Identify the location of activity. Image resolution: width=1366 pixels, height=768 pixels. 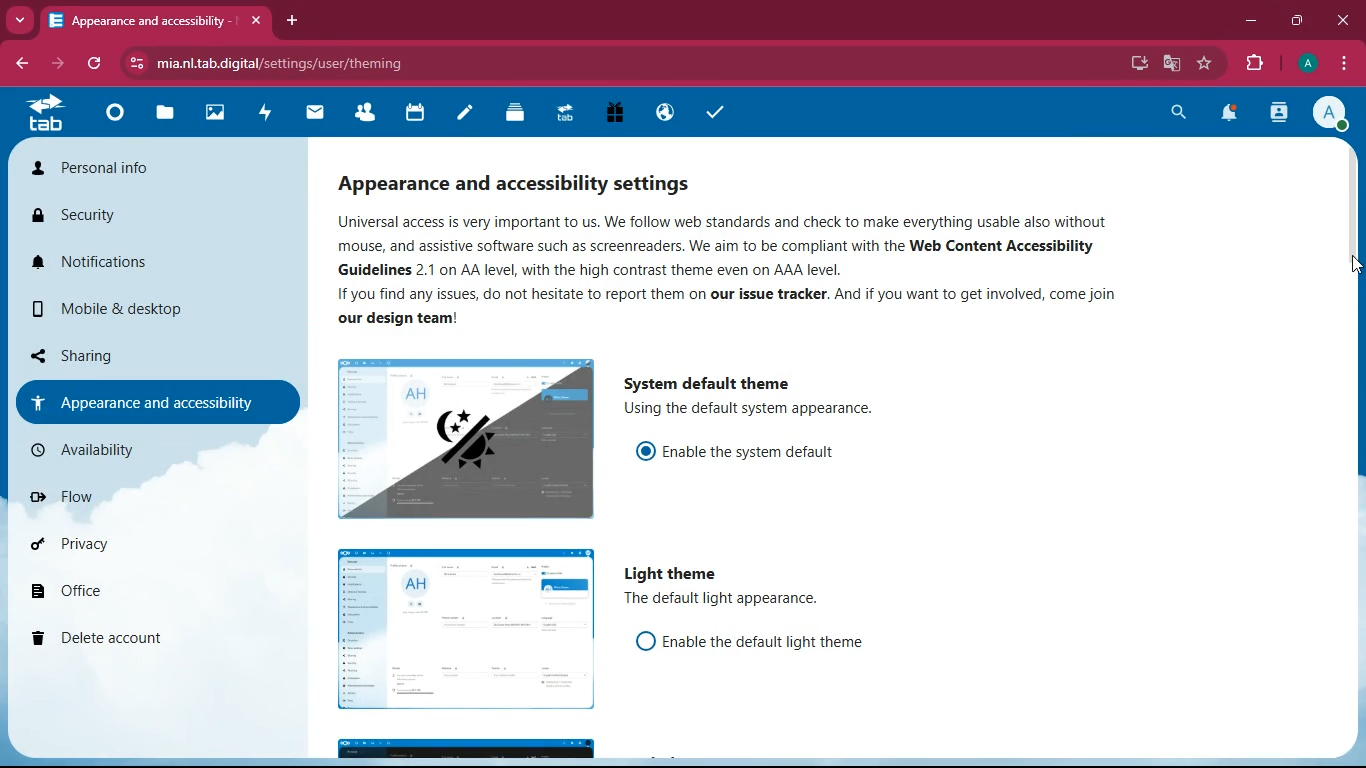
(264, 115).